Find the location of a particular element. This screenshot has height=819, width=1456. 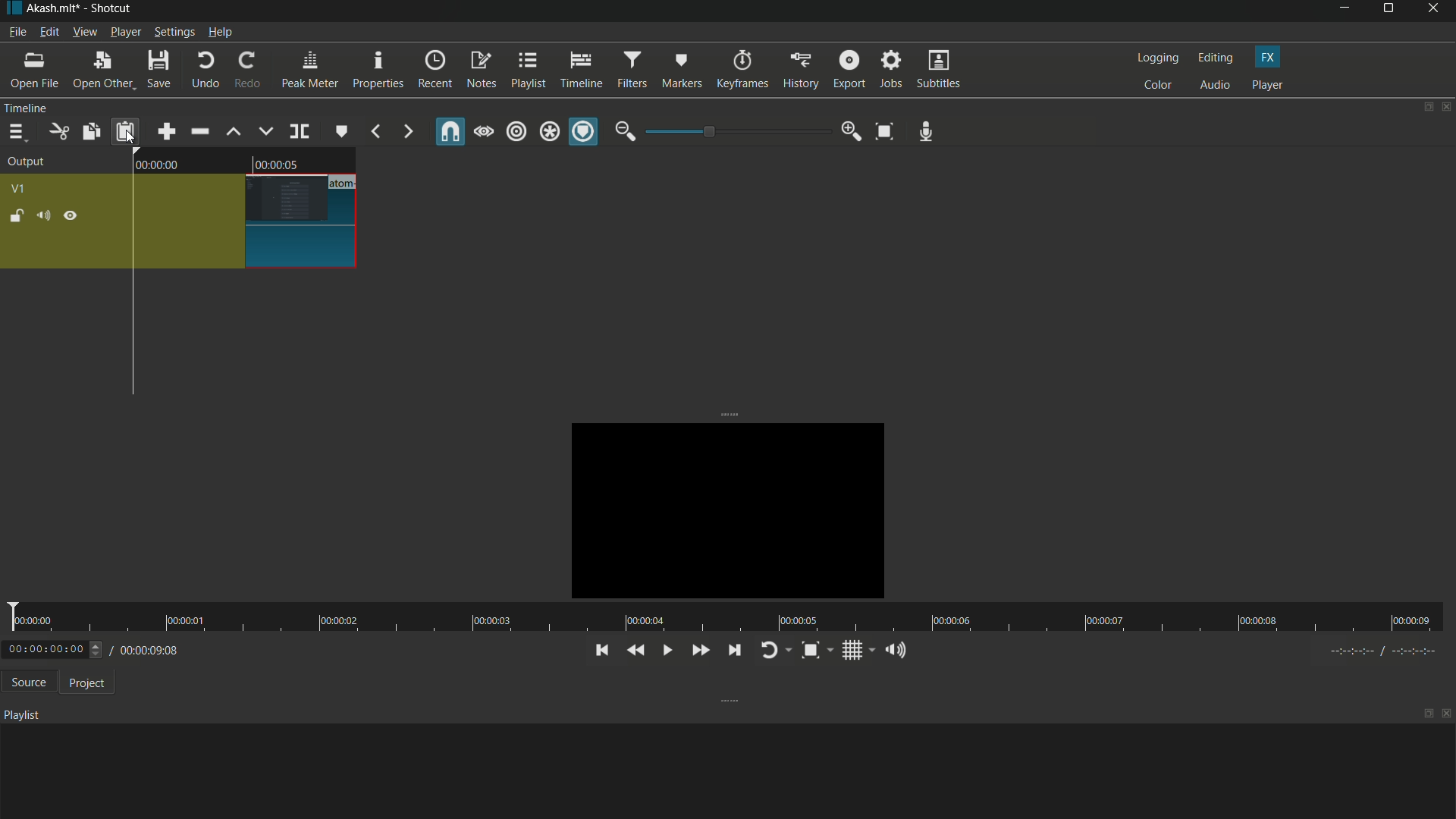

time is located at coordinates (722, 617).